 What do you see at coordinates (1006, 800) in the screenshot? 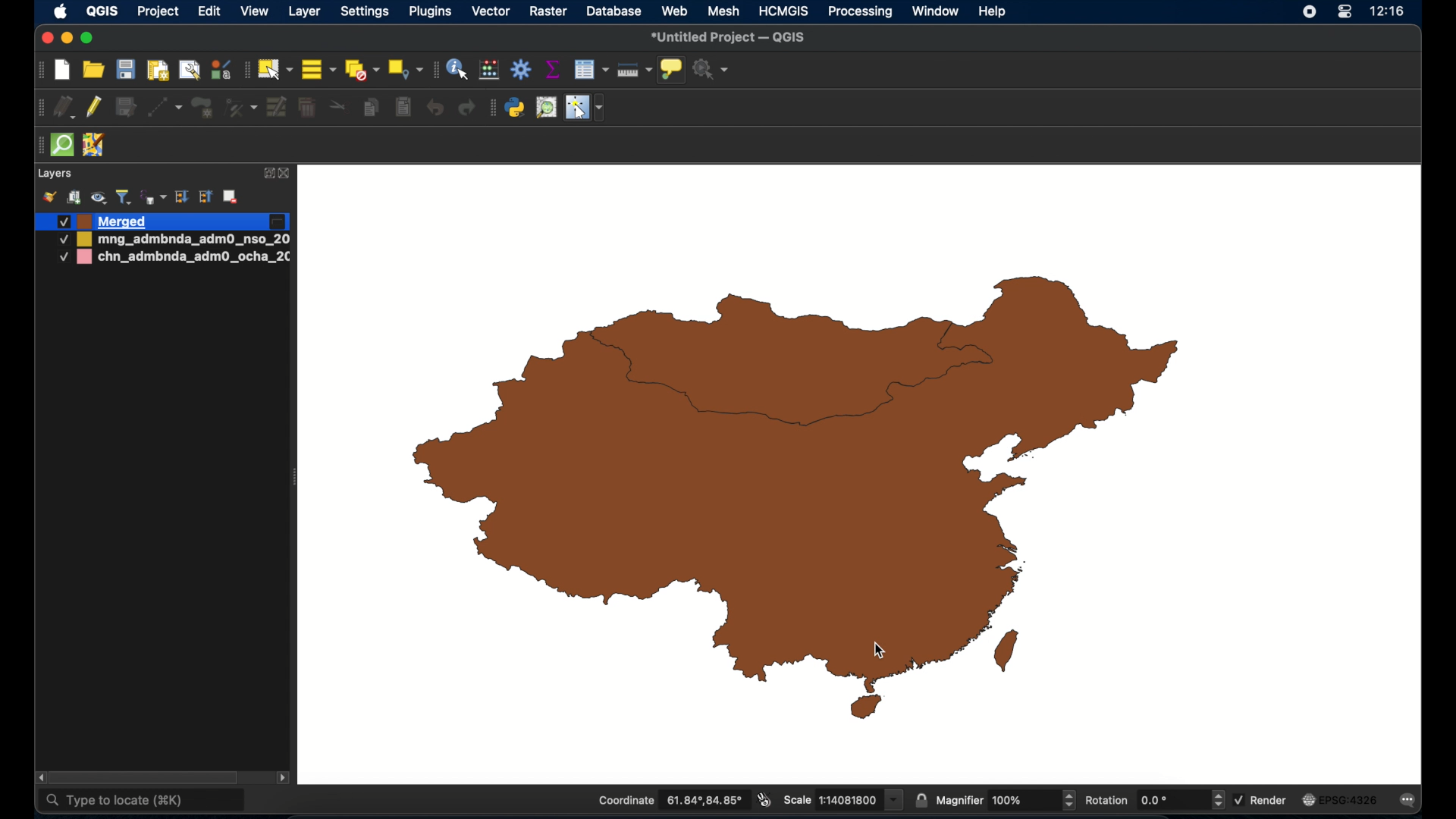
I see `magnifier` at bounding box center [1006, 800].